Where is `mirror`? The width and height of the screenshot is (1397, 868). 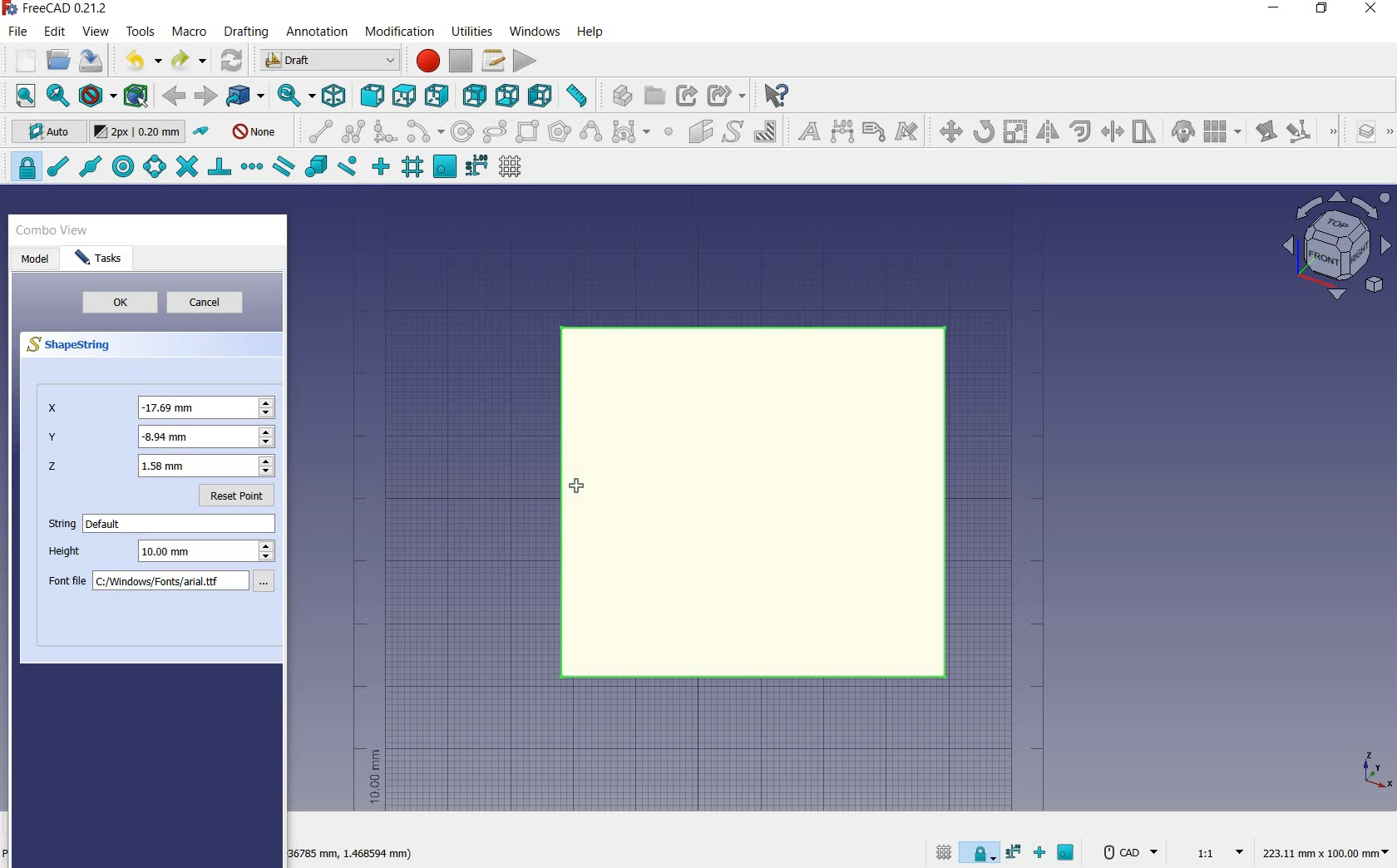 mirror is located at coordinates (1046, 133).